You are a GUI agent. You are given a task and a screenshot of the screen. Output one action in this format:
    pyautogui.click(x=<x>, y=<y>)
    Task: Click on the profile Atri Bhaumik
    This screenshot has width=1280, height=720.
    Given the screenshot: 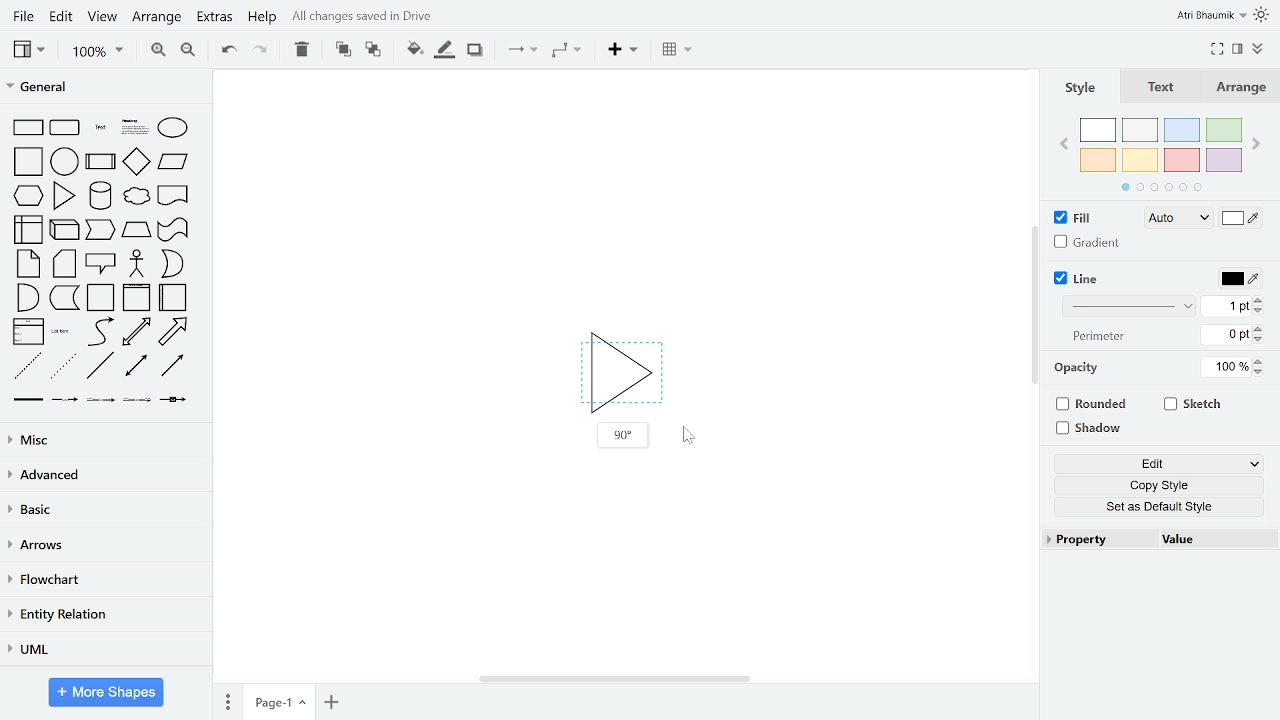 What is the action you would take?
    pyautogui.click(x=1210, y=16)
    